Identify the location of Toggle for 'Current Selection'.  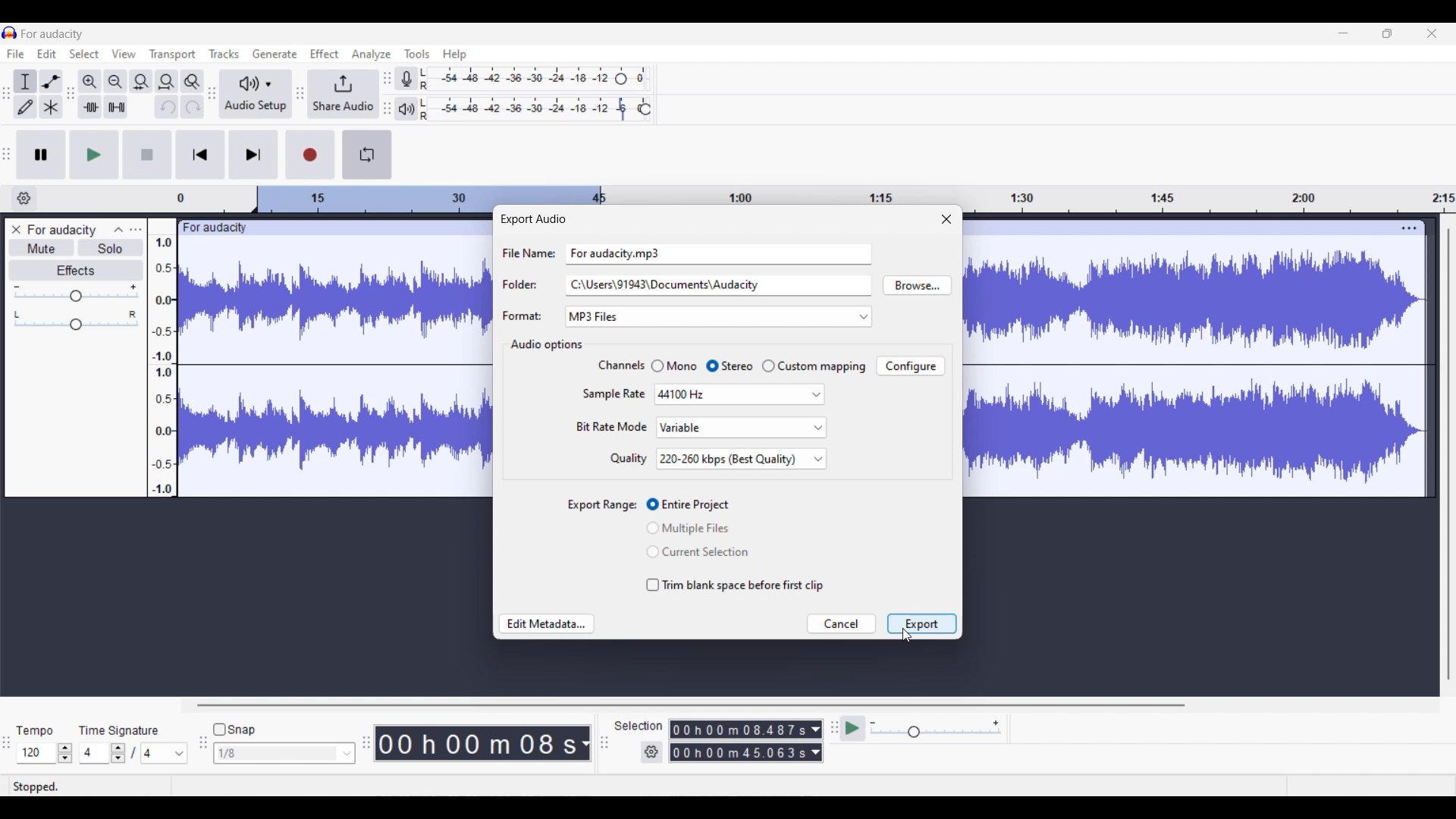
(698, 552).